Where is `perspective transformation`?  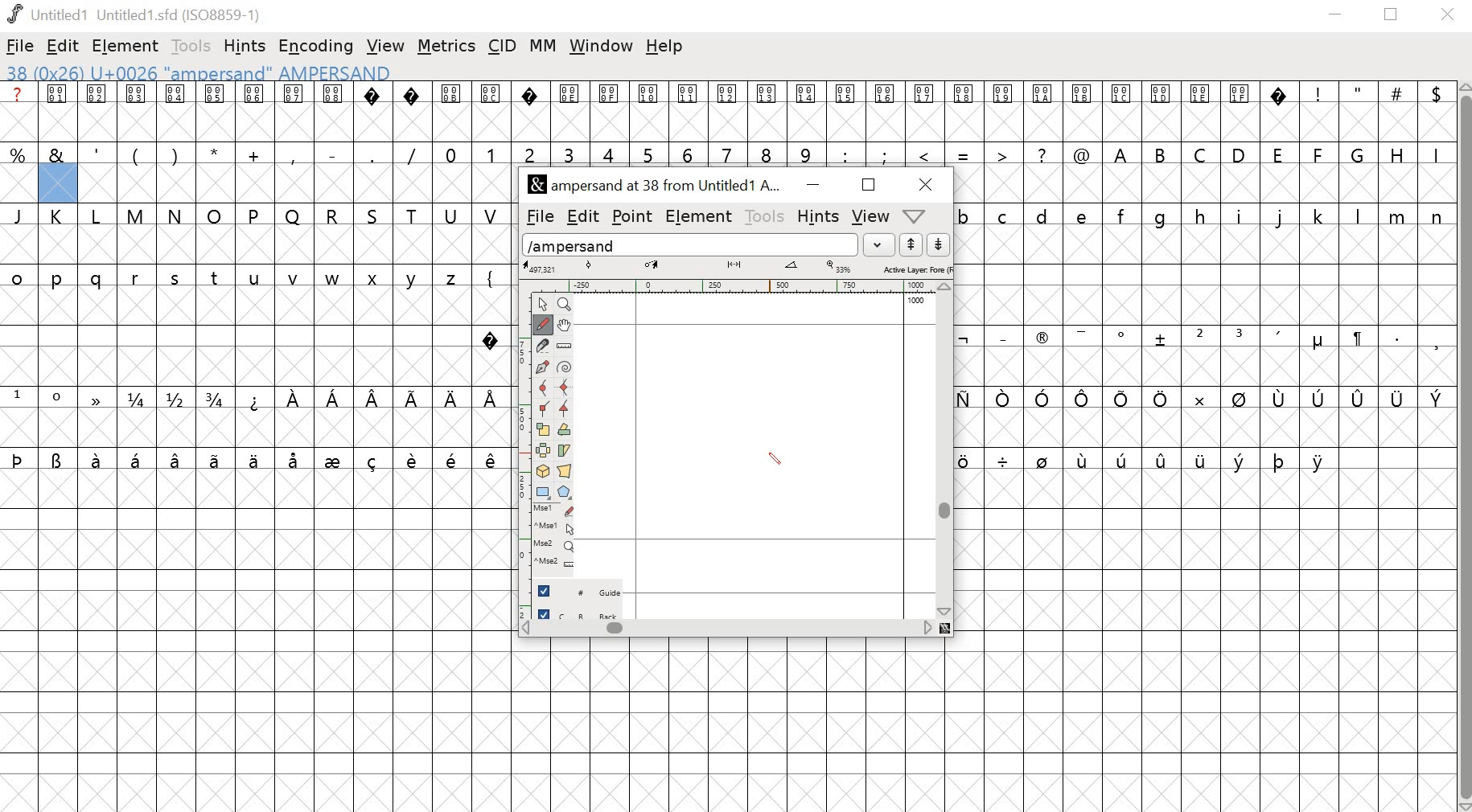 perspective transformation is located at coordinates (566, 471).